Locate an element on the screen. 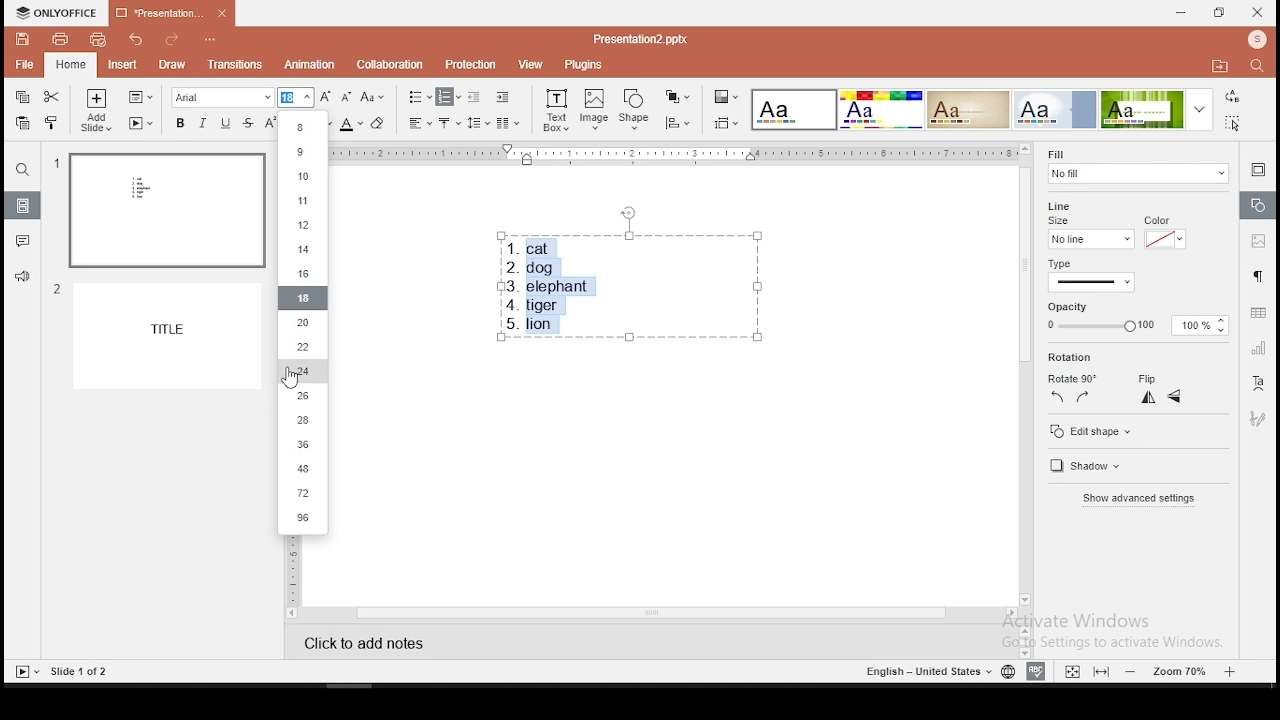 This screenshot has width=1280, height=720. 22 is located at coordinates (302, 347).